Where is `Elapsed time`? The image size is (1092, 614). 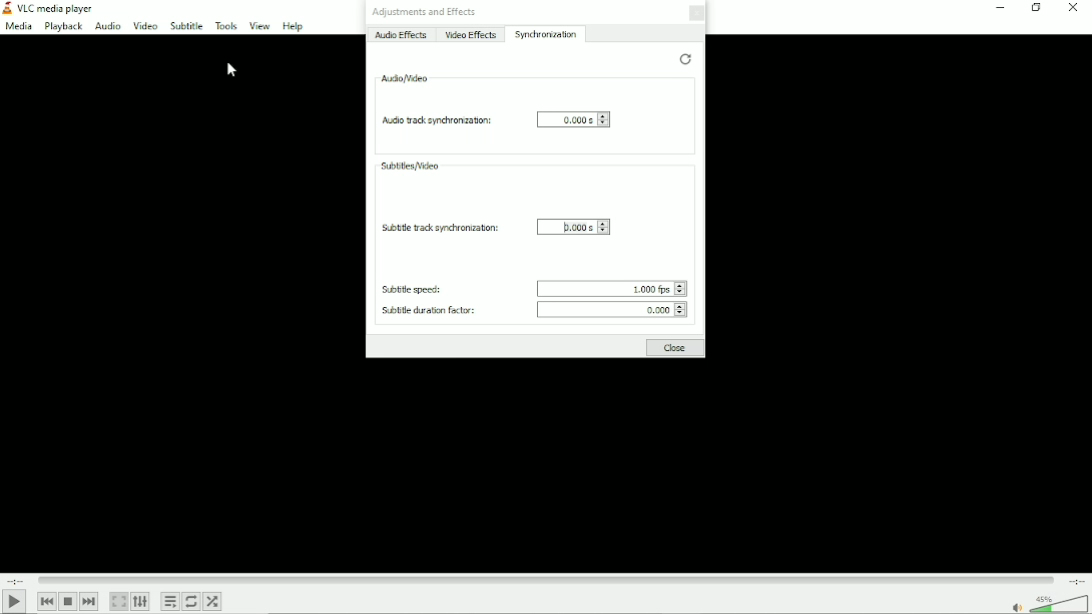 Elapsed time is located at coordinates (18, 580).